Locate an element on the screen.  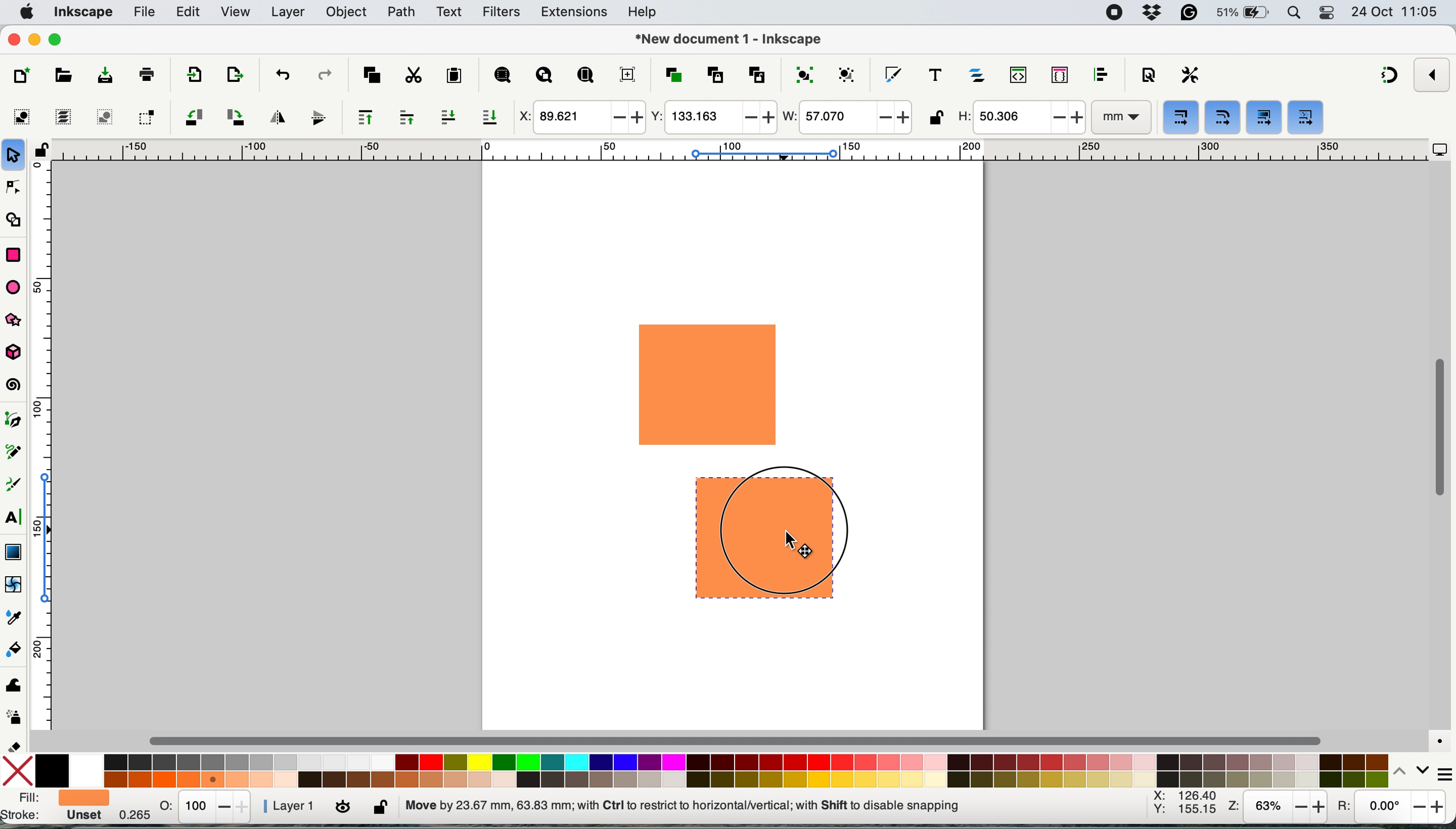
layers is located at coordinates (288, 12).